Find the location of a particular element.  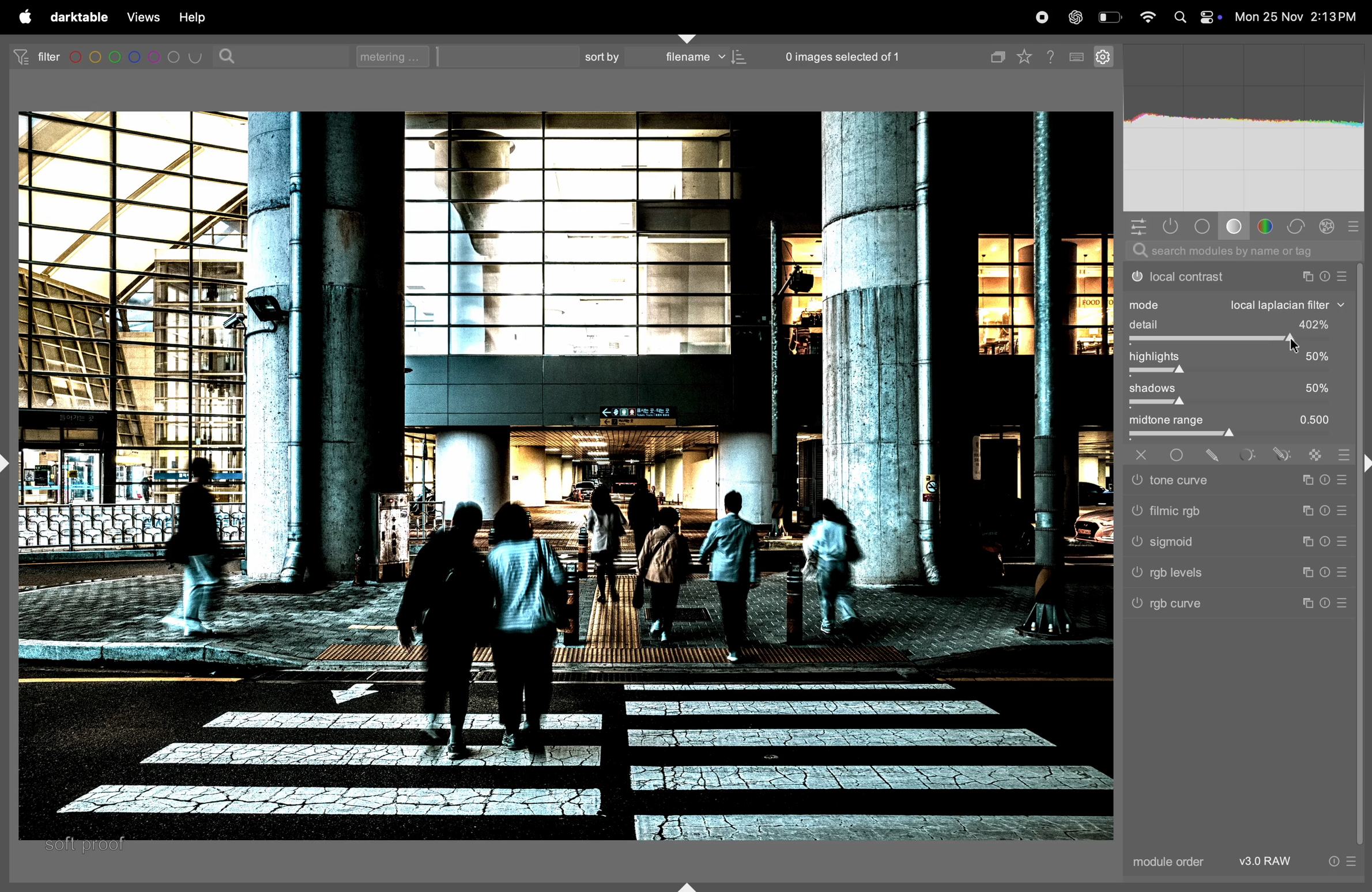

settings is located at coordinates (1102, 55).